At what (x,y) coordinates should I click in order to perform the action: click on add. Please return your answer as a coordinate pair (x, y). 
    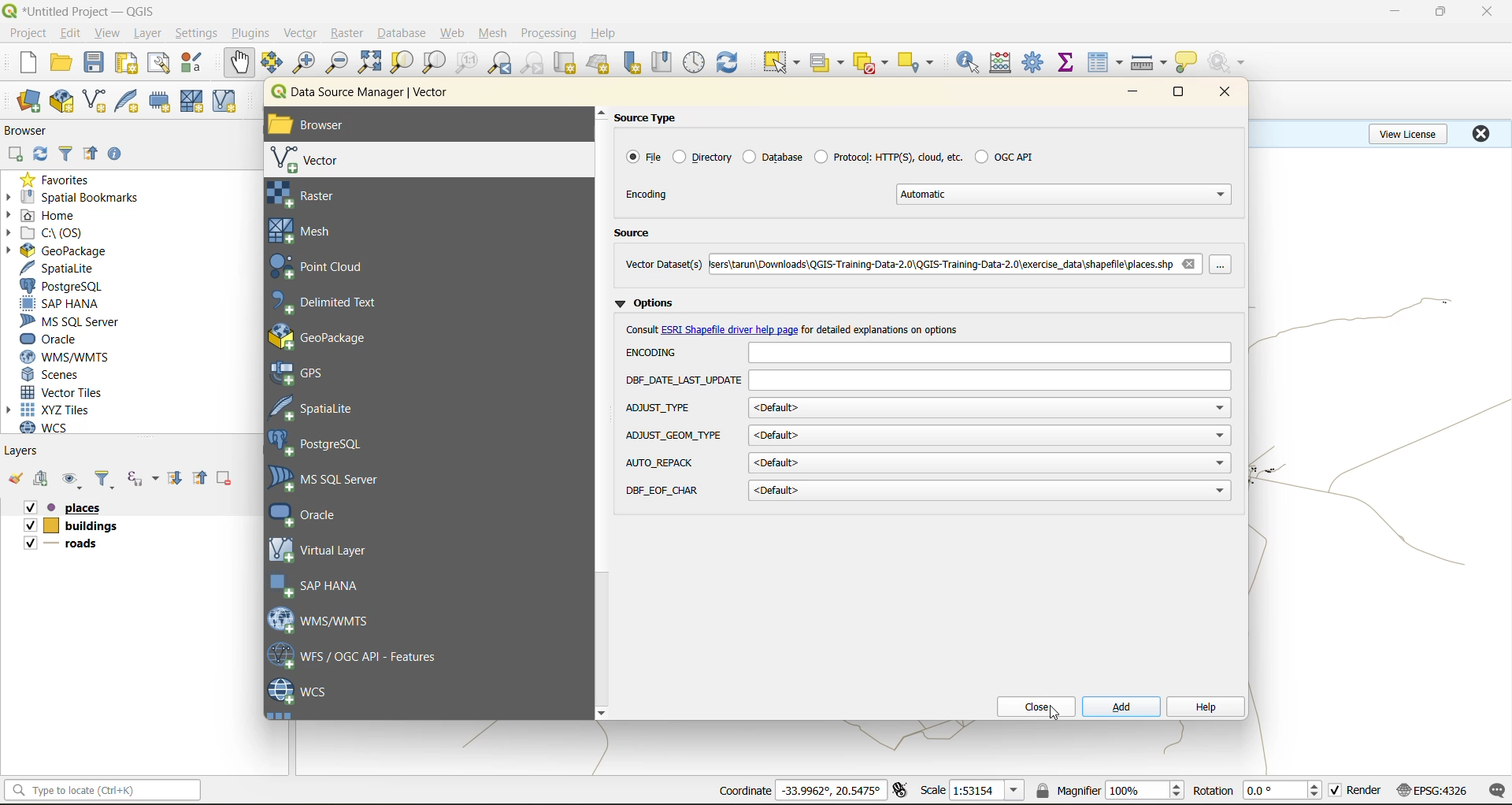
    Looking at the image, I should click on (43, 480).